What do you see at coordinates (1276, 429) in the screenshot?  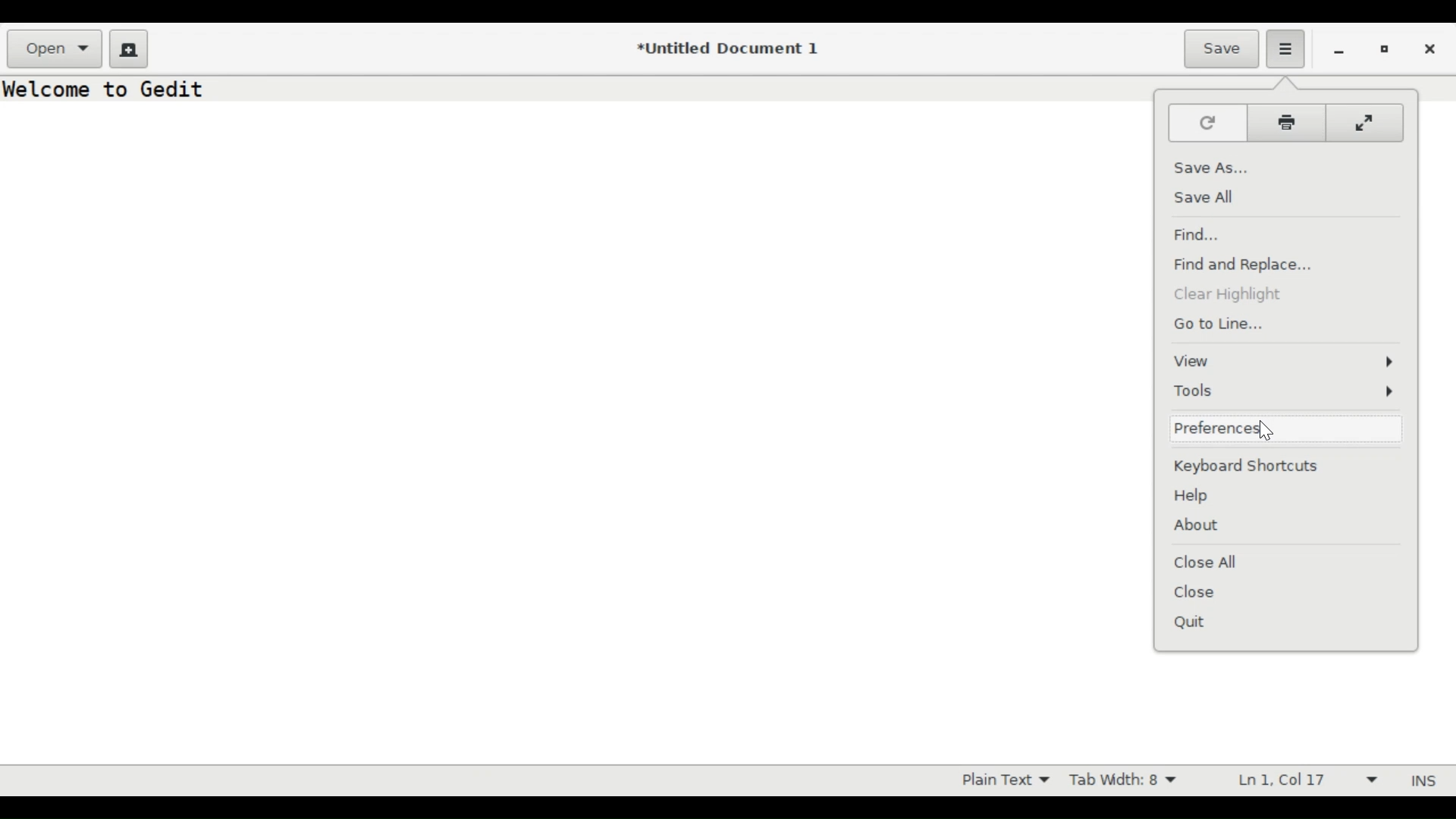 I see `cursor` at bounding box center [1276, 429].